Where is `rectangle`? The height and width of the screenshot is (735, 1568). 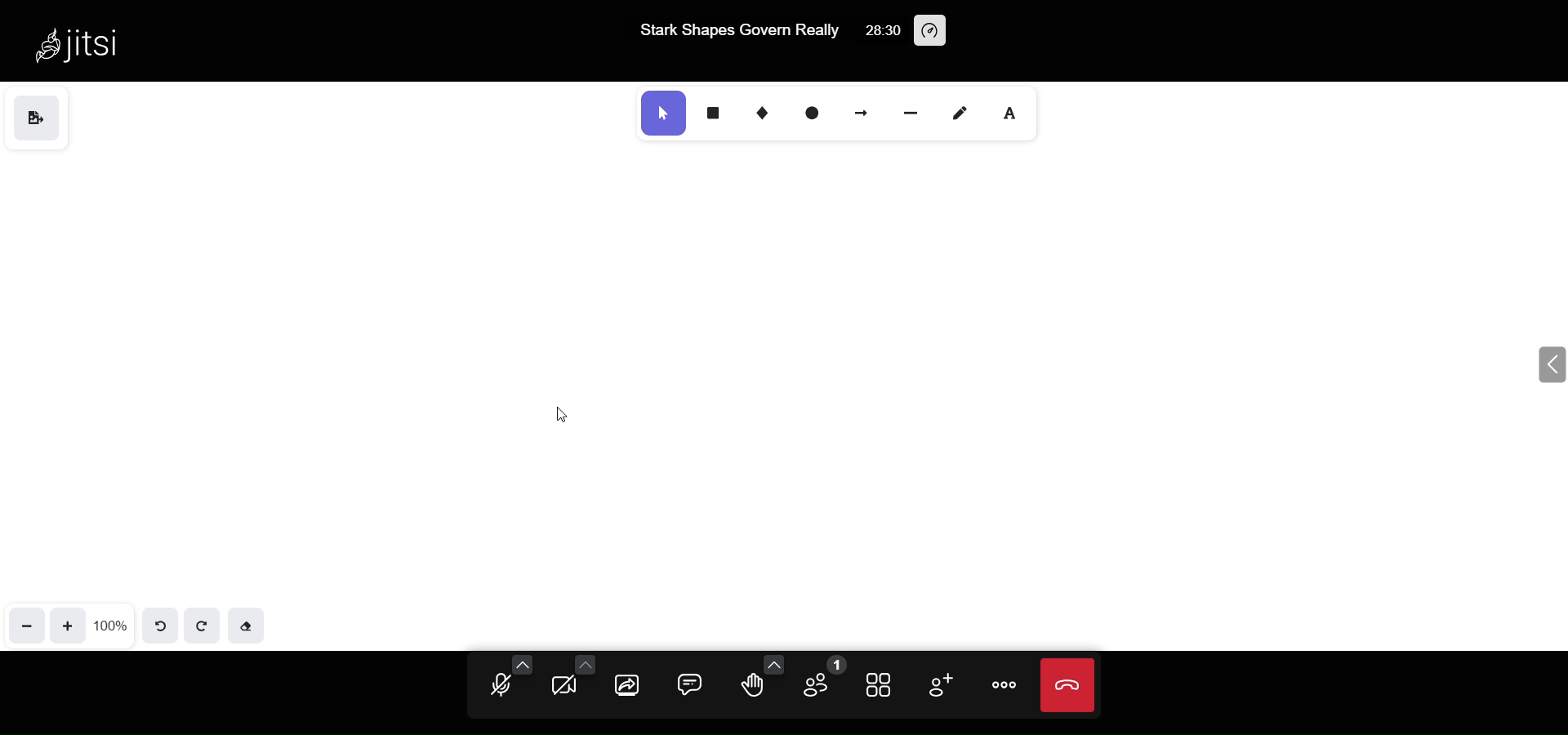
rectangle is located at coordinates (711, 112).